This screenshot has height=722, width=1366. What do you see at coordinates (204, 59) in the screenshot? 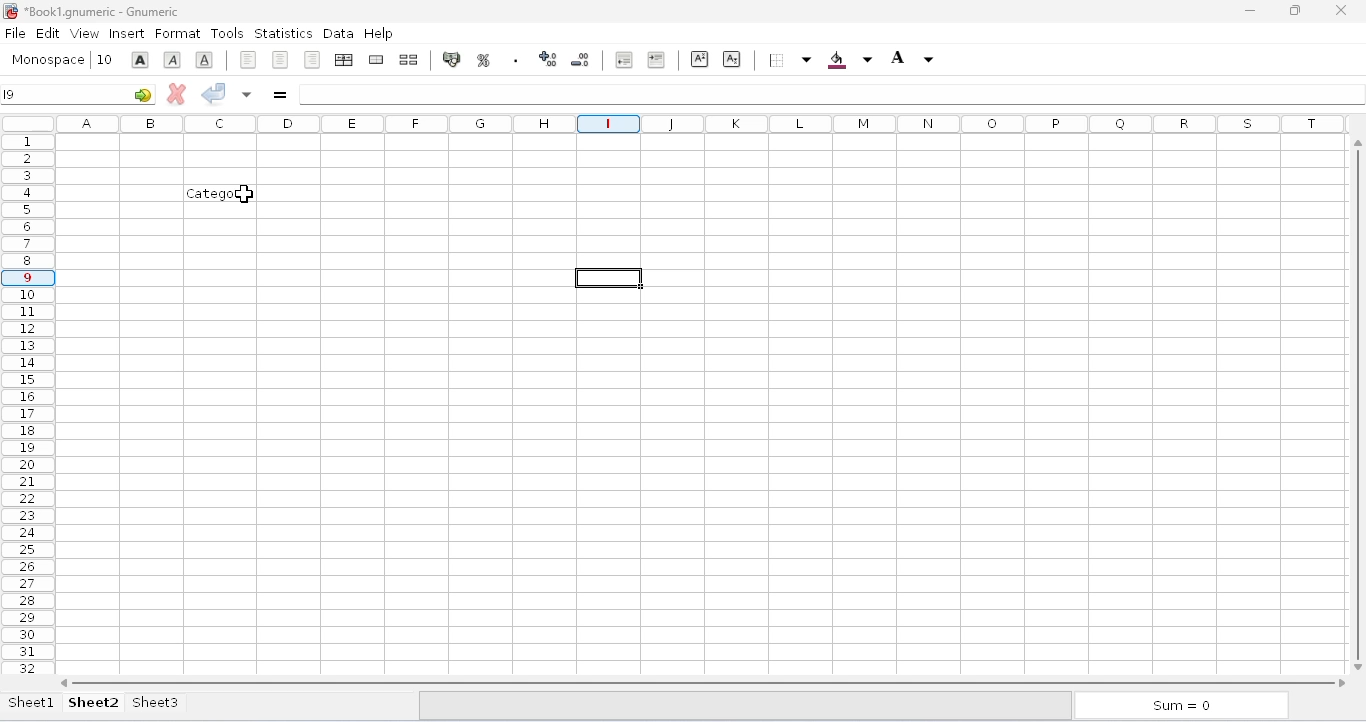
I see `underline` at bounding box center [204, 59].